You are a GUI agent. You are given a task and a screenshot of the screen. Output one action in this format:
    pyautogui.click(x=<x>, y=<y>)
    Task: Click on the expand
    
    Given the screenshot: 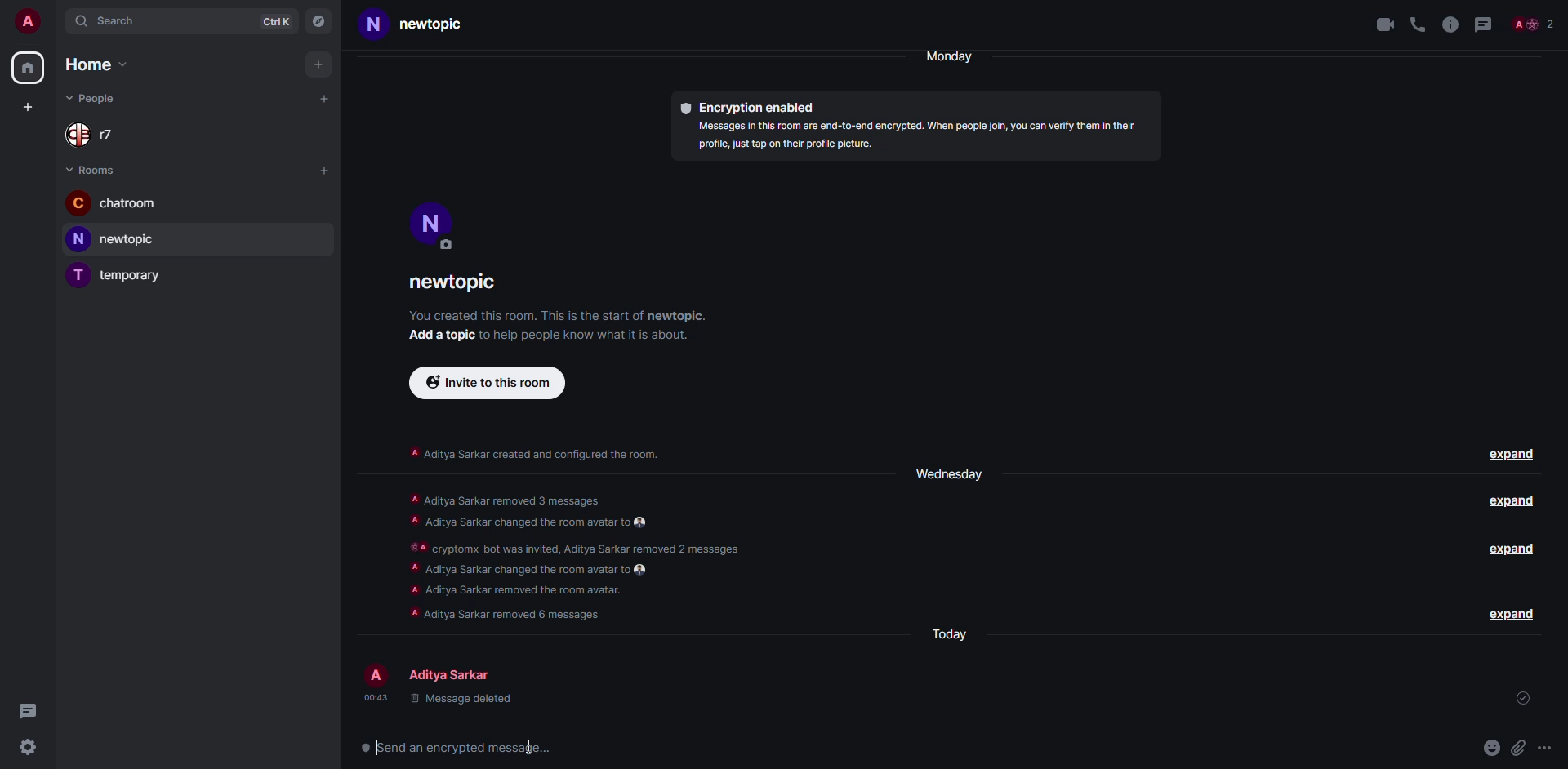 What is the action you would take?
    pyautogui.click(x=1512, y=456)
    